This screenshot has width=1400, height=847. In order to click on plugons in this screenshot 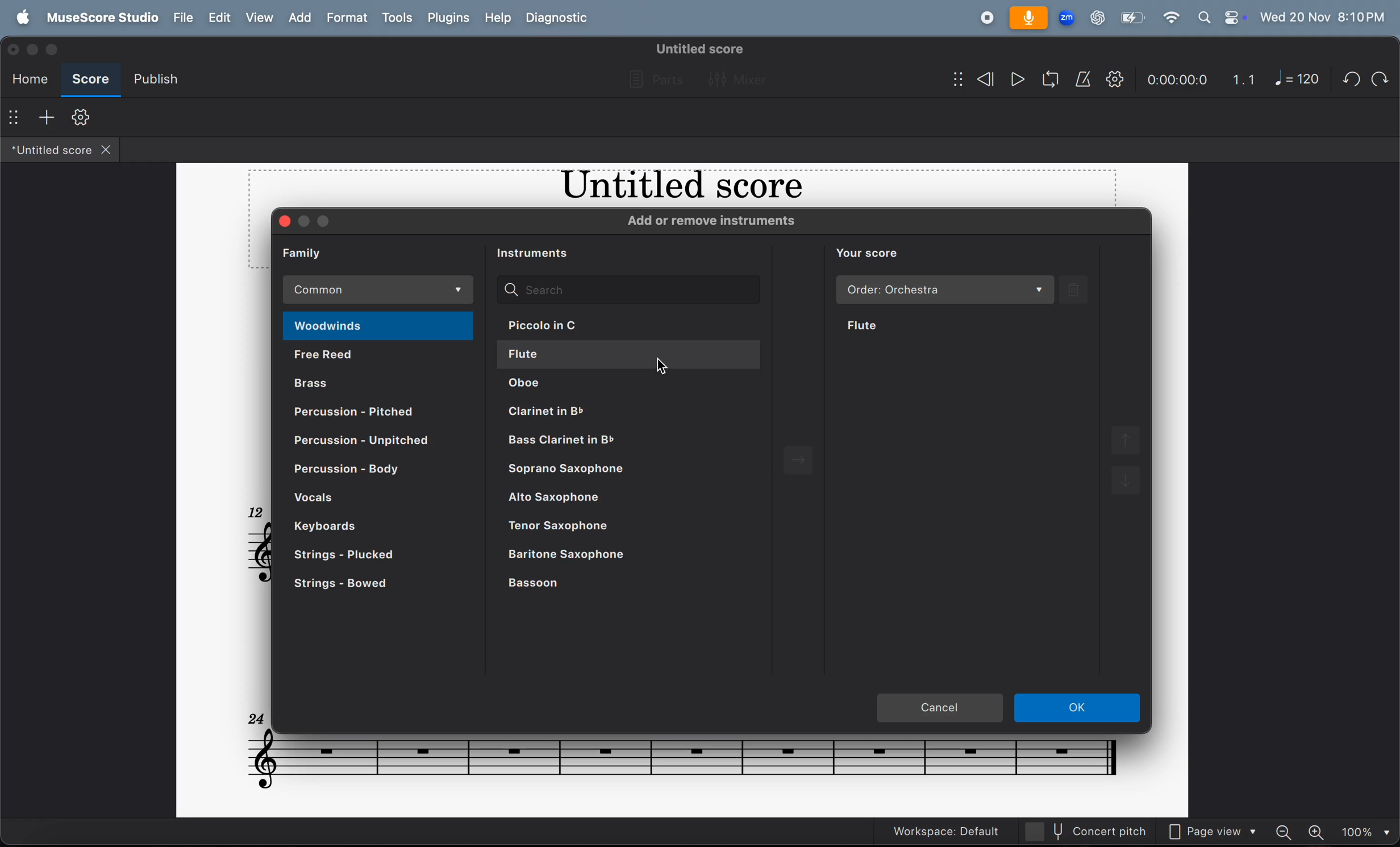, I will do `click(450, 18)`.